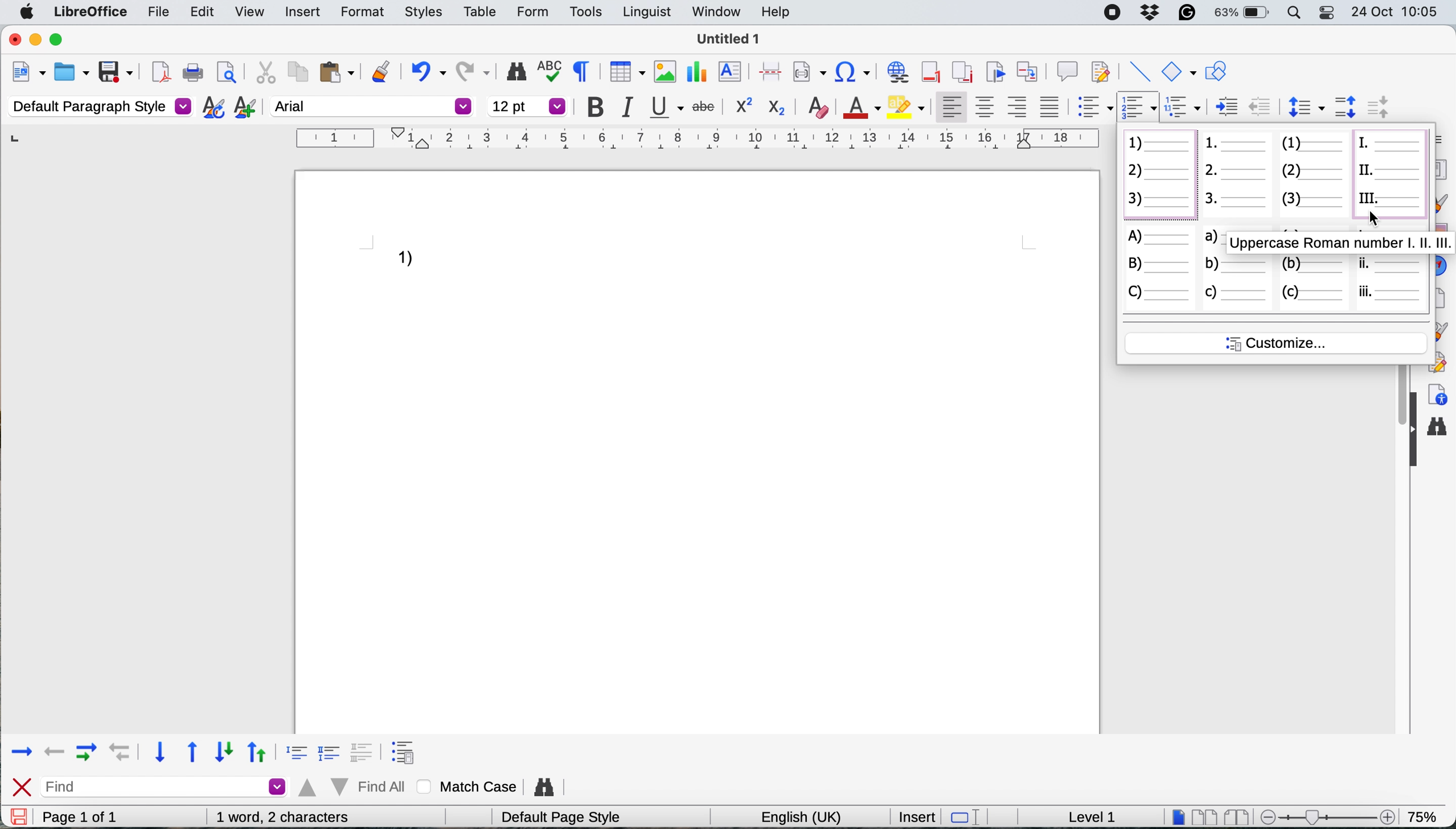  Describe the element at coordinates (89, 12) in the screenshot. I see `libre office` at that location.